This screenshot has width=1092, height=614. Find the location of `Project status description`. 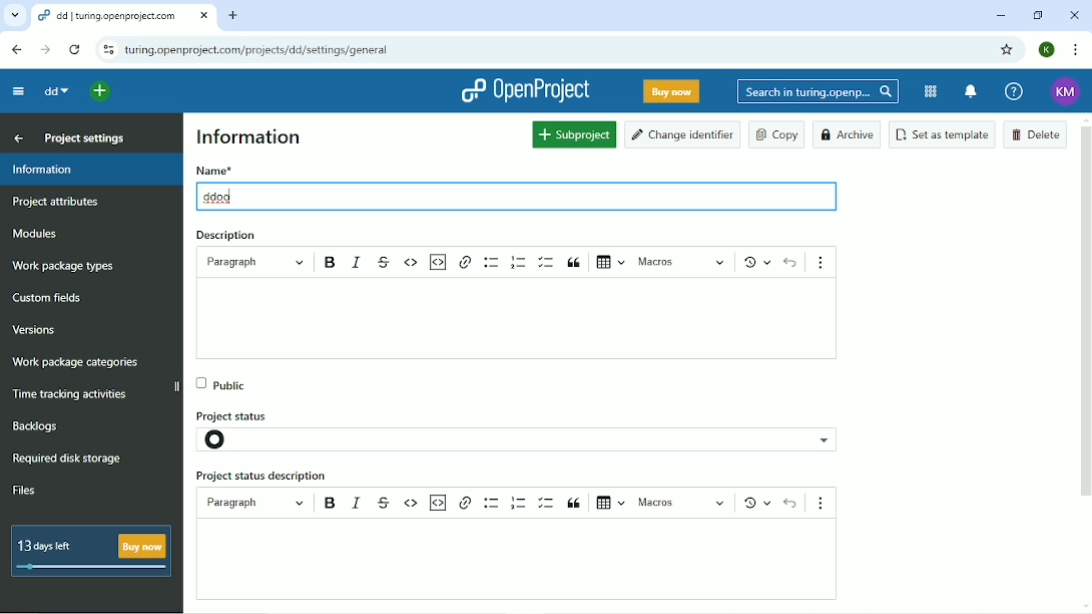

Project status description is located at coordinates (263, 476).